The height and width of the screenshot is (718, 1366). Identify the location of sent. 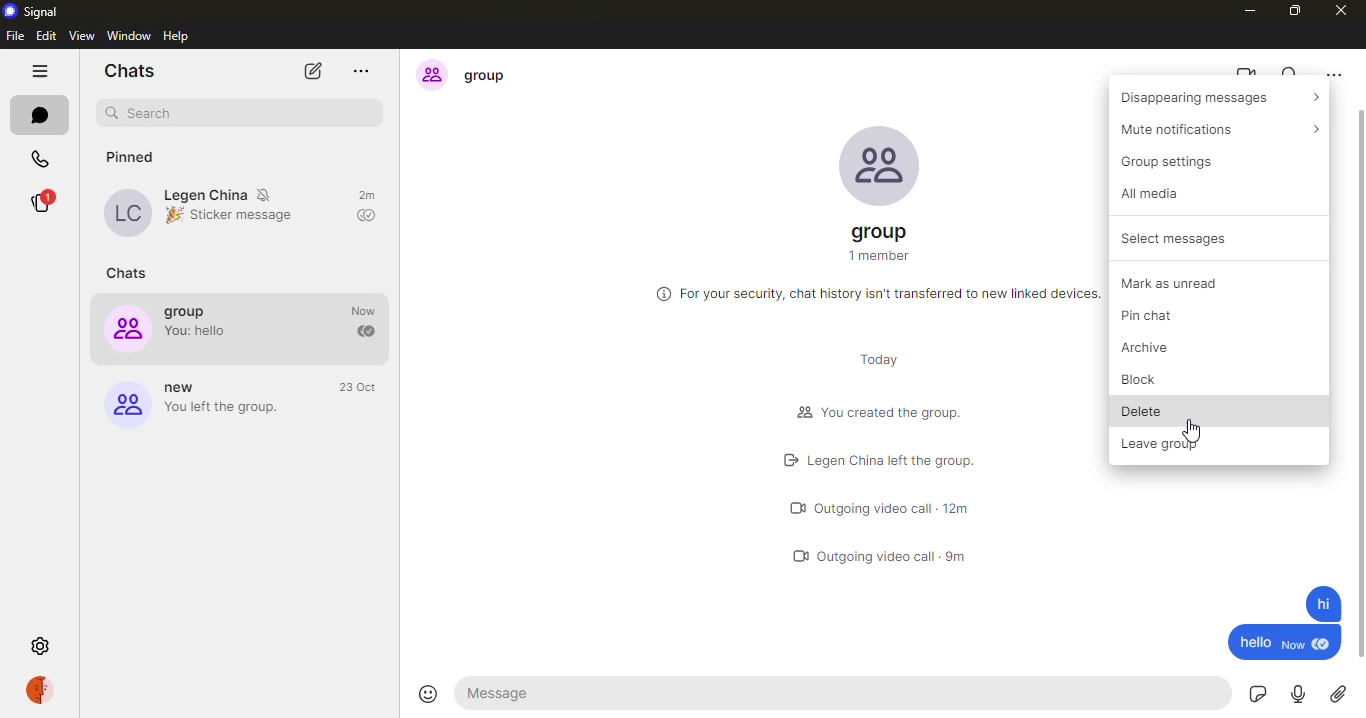
(365, 332).